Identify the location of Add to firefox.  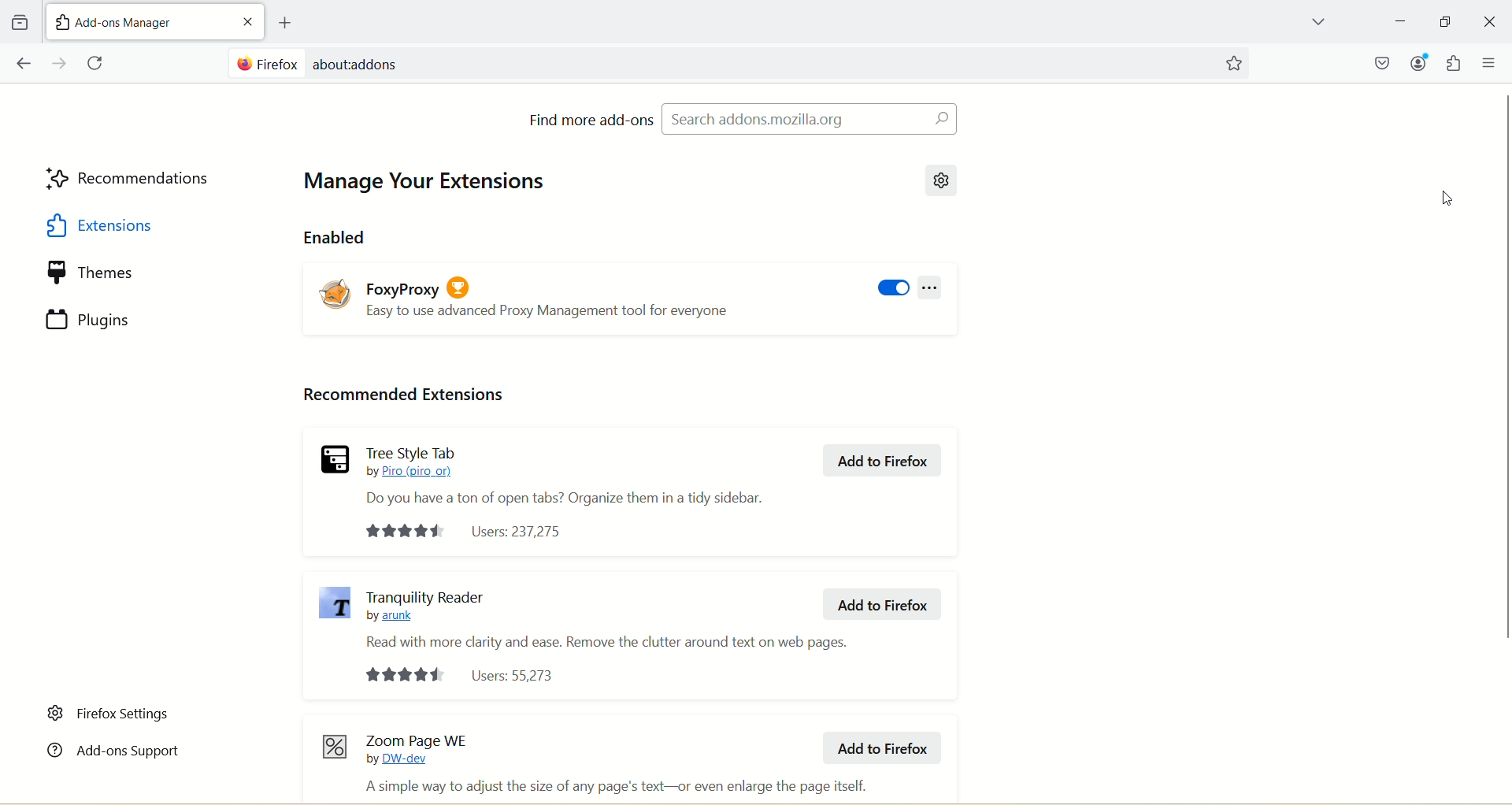
(881, 605).